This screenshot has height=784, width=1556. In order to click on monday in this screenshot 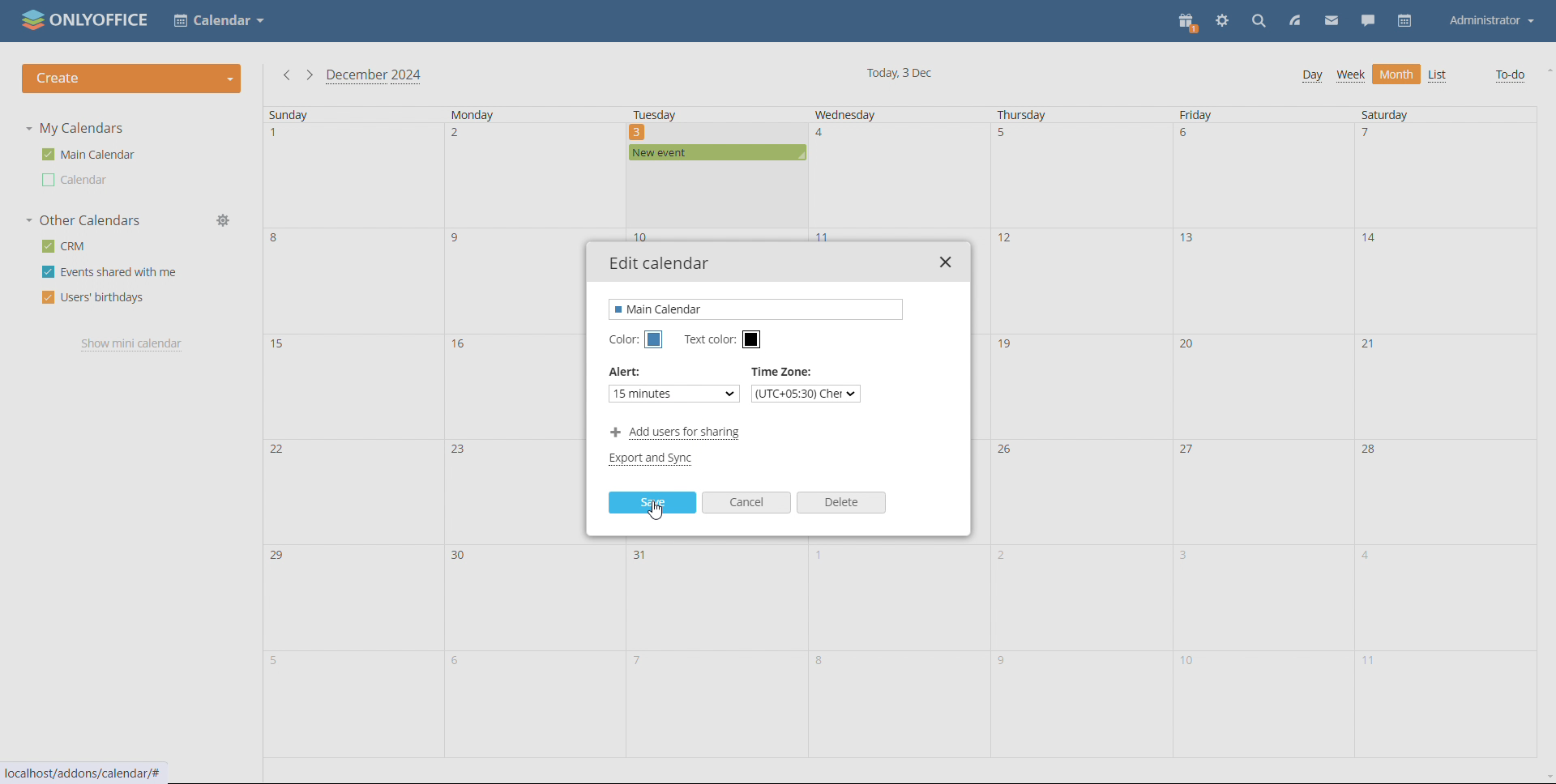, I will do `click(519, 114)`.